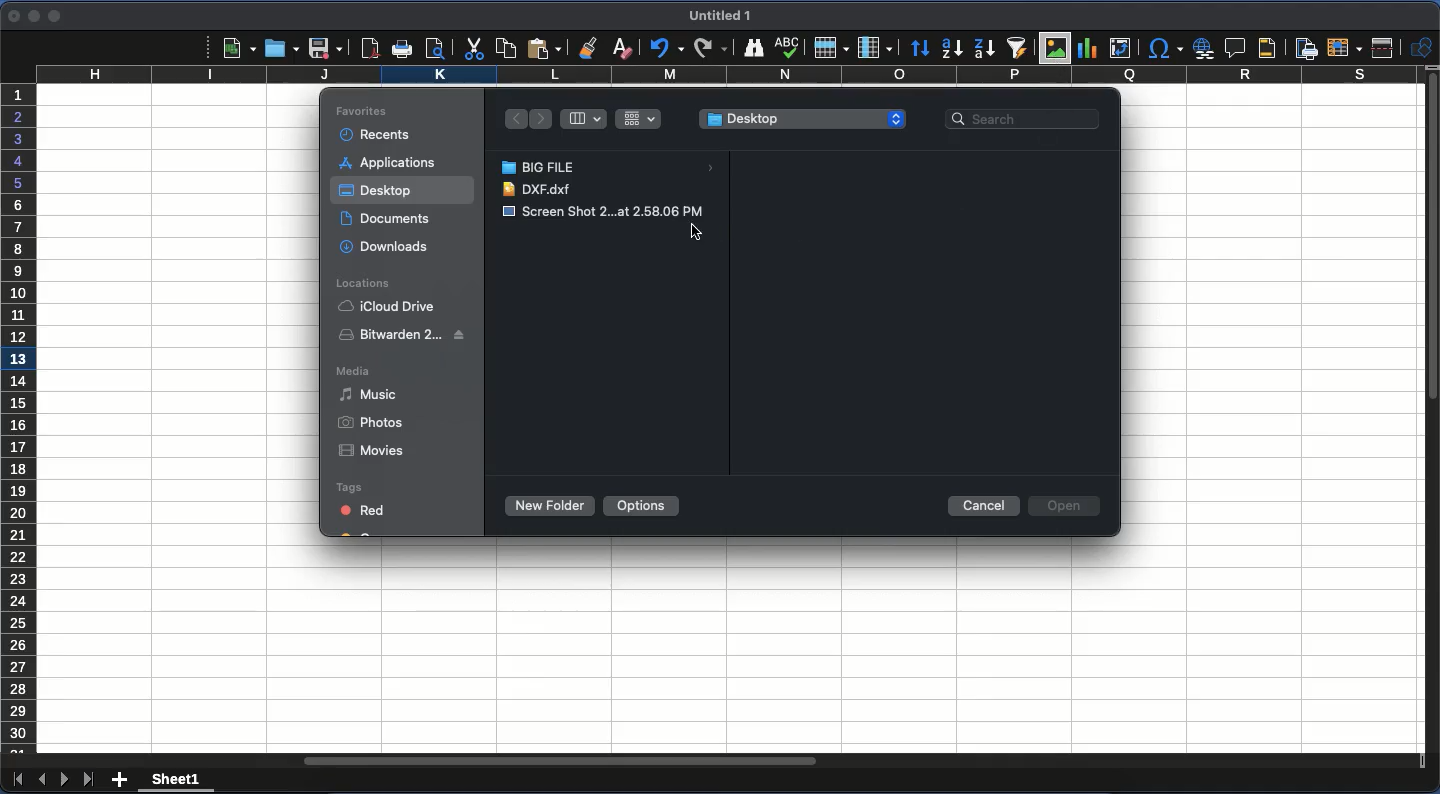  I want to click on tags, so click(349, 488).